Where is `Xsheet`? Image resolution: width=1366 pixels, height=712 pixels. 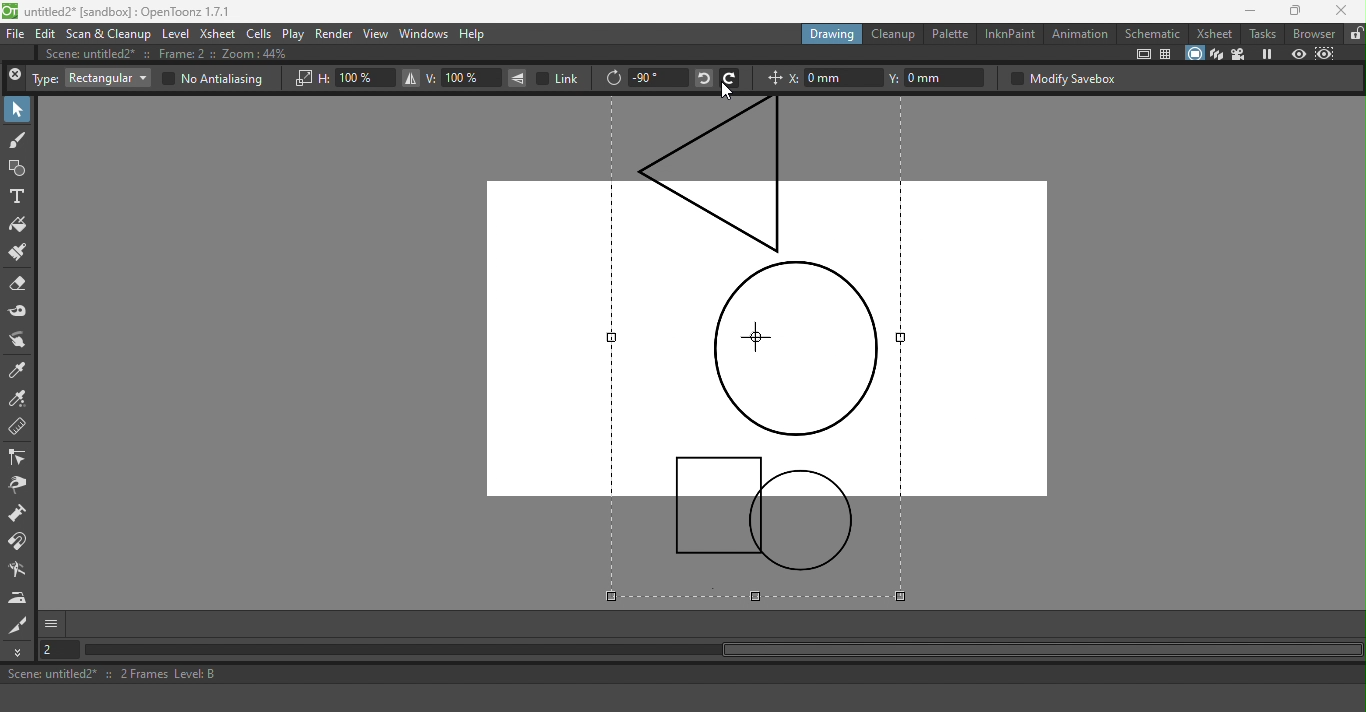
Xsheet is located at coordinates (1213, 33).